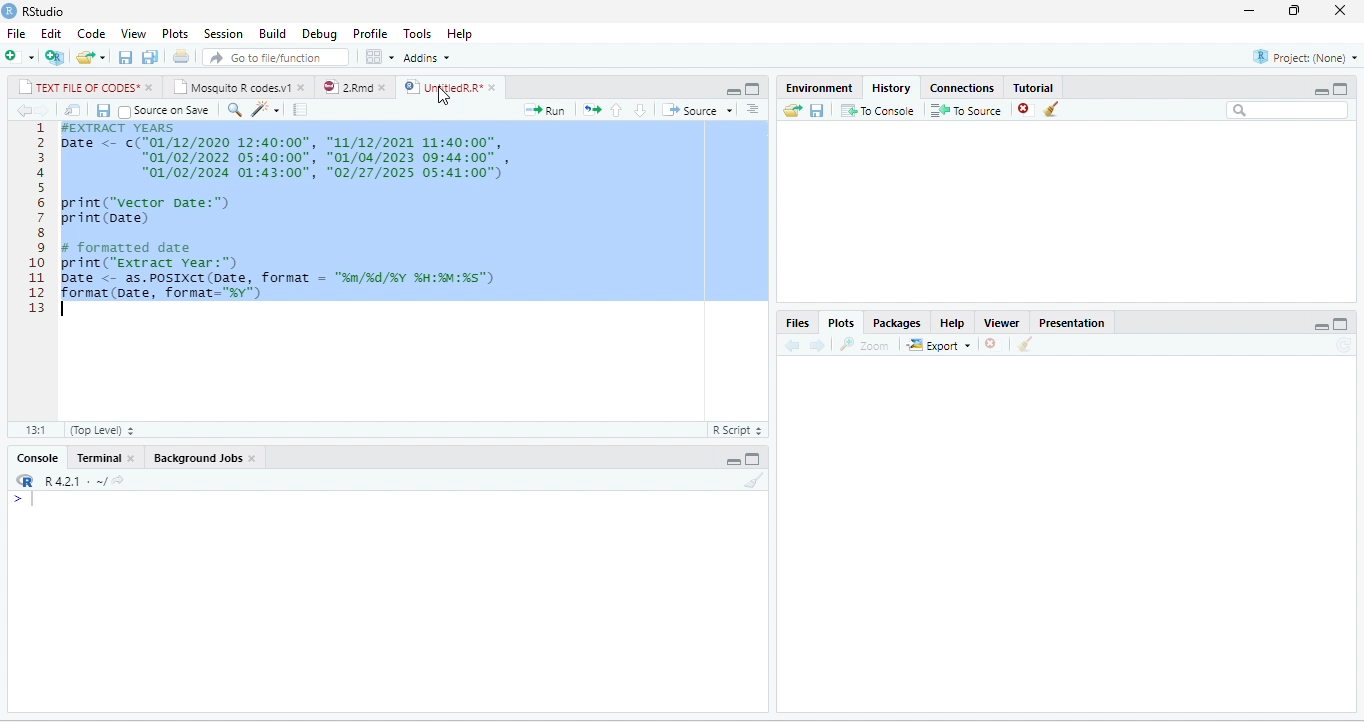 The width and height of the screenshot is (1364, 722). Describe the element at coordinates (145, 210) in the screenshot. I see `print(“vector Date:")print (Date)` at that location.